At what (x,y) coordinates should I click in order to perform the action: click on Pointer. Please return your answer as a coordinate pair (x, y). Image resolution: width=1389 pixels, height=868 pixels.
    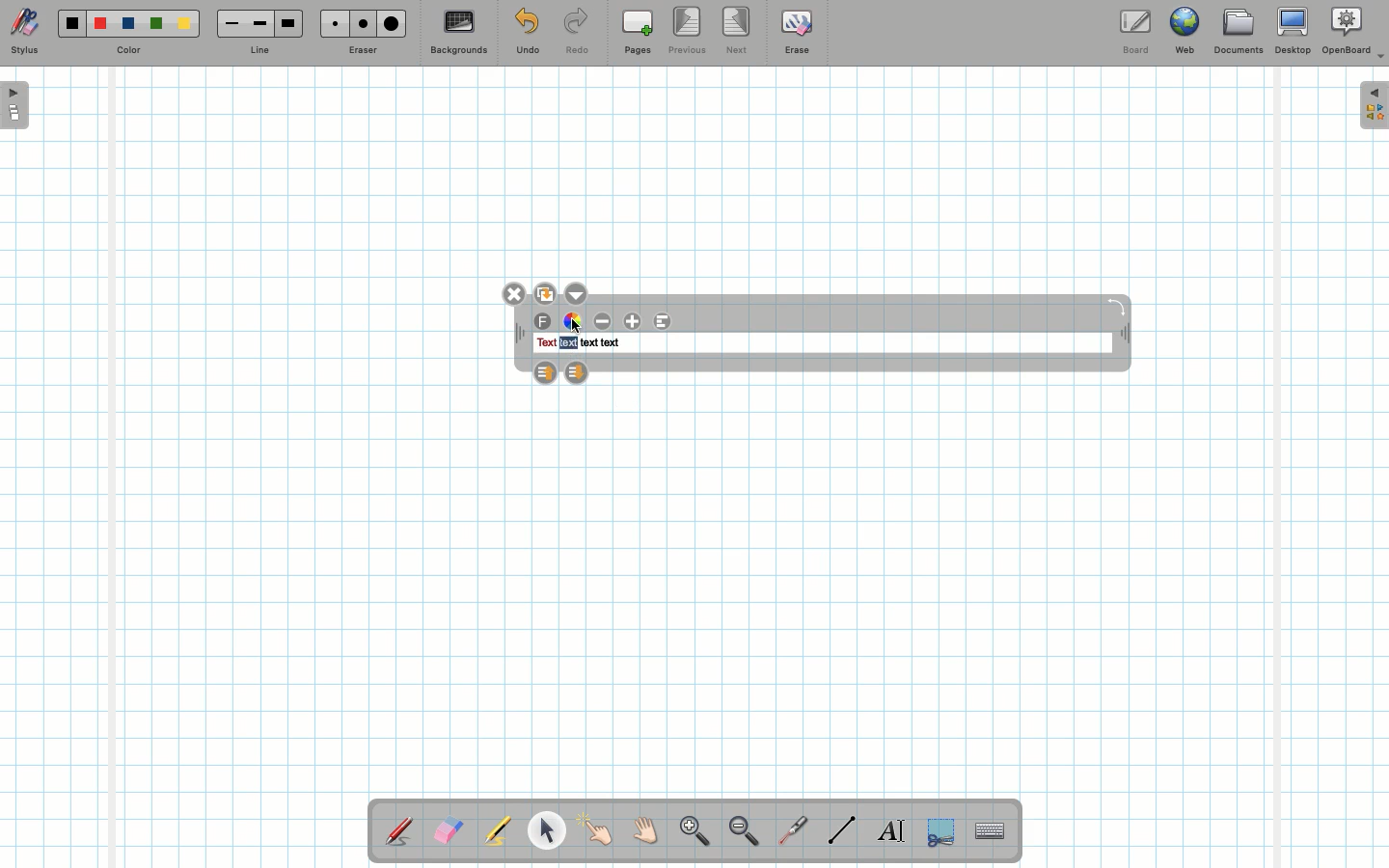
    Looking at the image, I should click on (596, 830).